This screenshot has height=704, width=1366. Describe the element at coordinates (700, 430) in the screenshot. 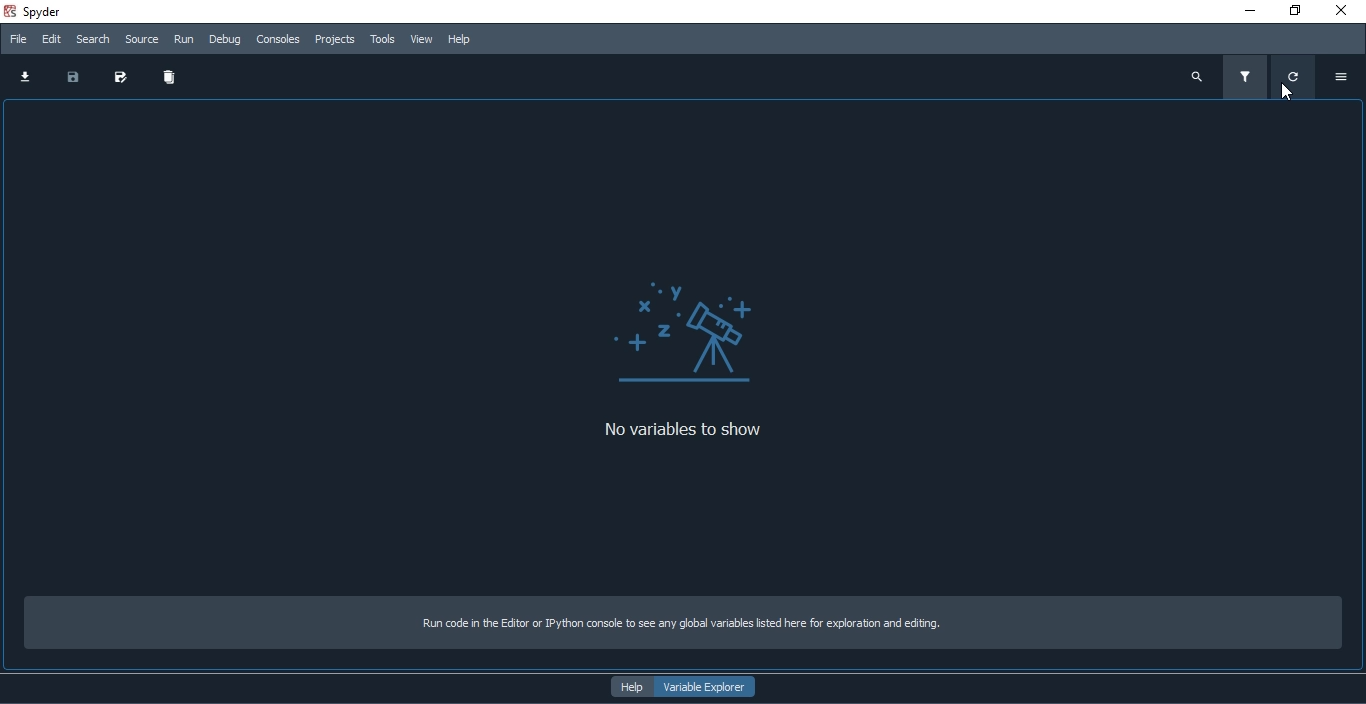

I see `No variables to show` at that location.